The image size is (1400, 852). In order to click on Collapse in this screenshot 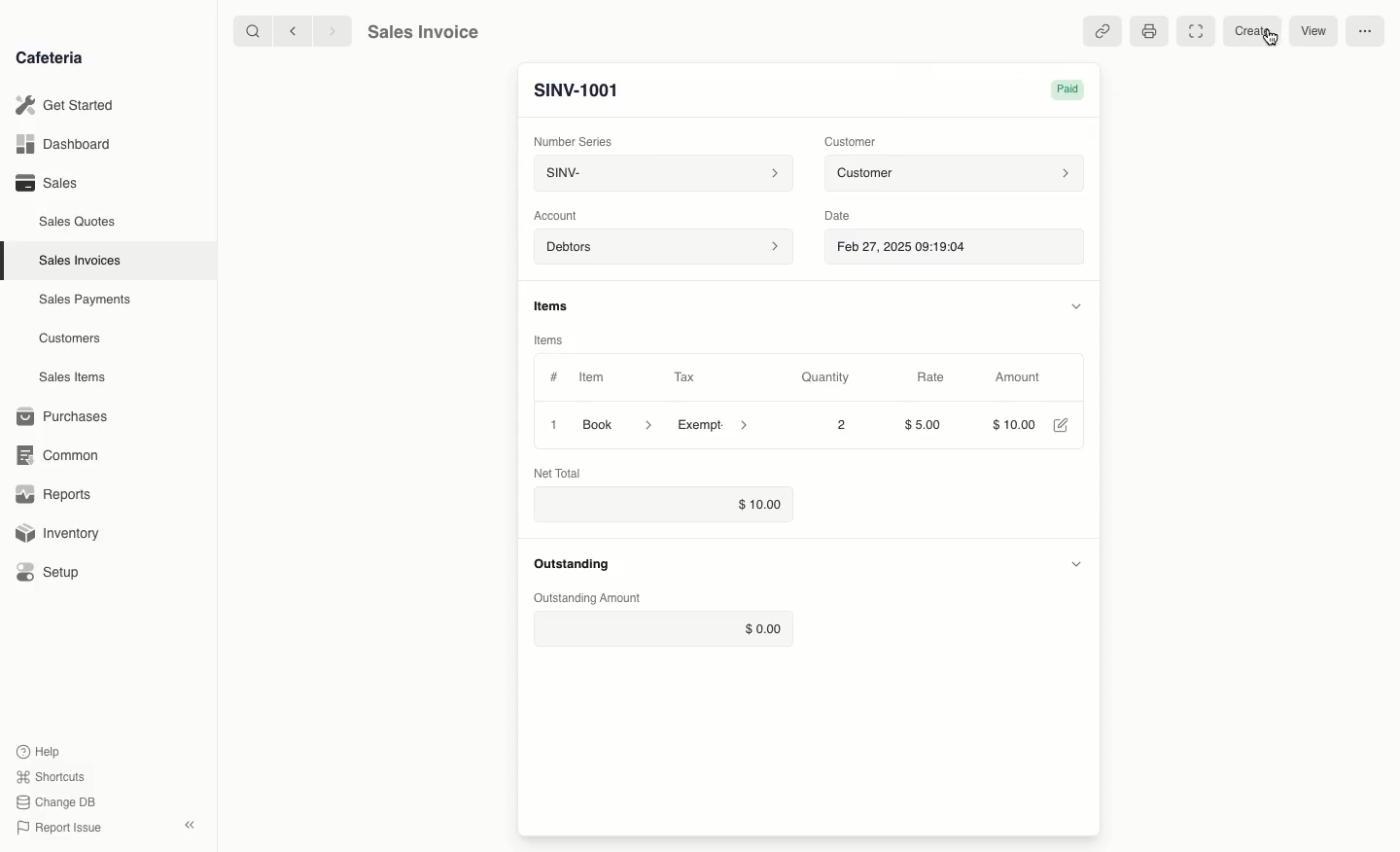, I will do `click(192, 825)`.